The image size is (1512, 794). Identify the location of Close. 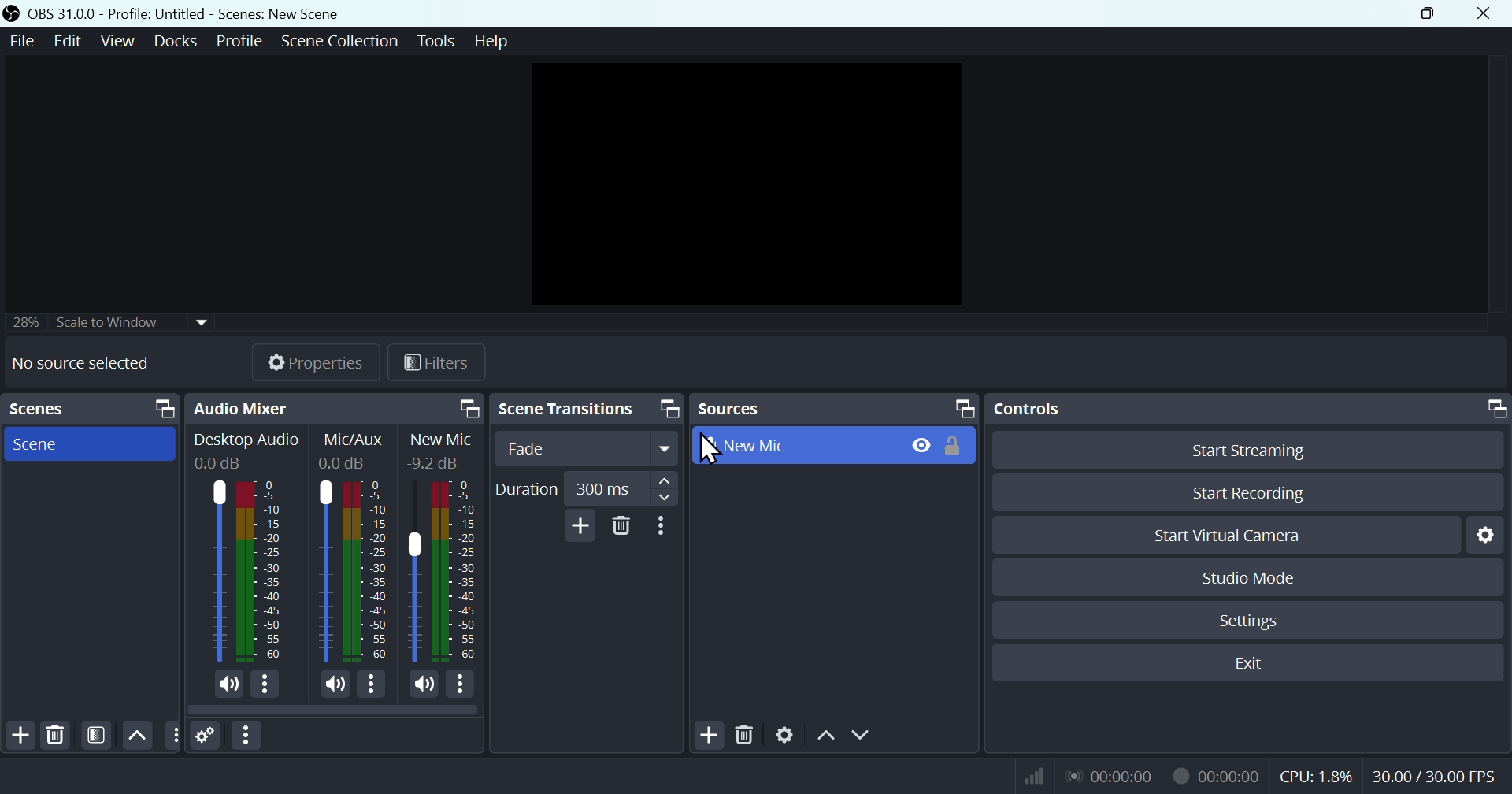
(1487, 15).